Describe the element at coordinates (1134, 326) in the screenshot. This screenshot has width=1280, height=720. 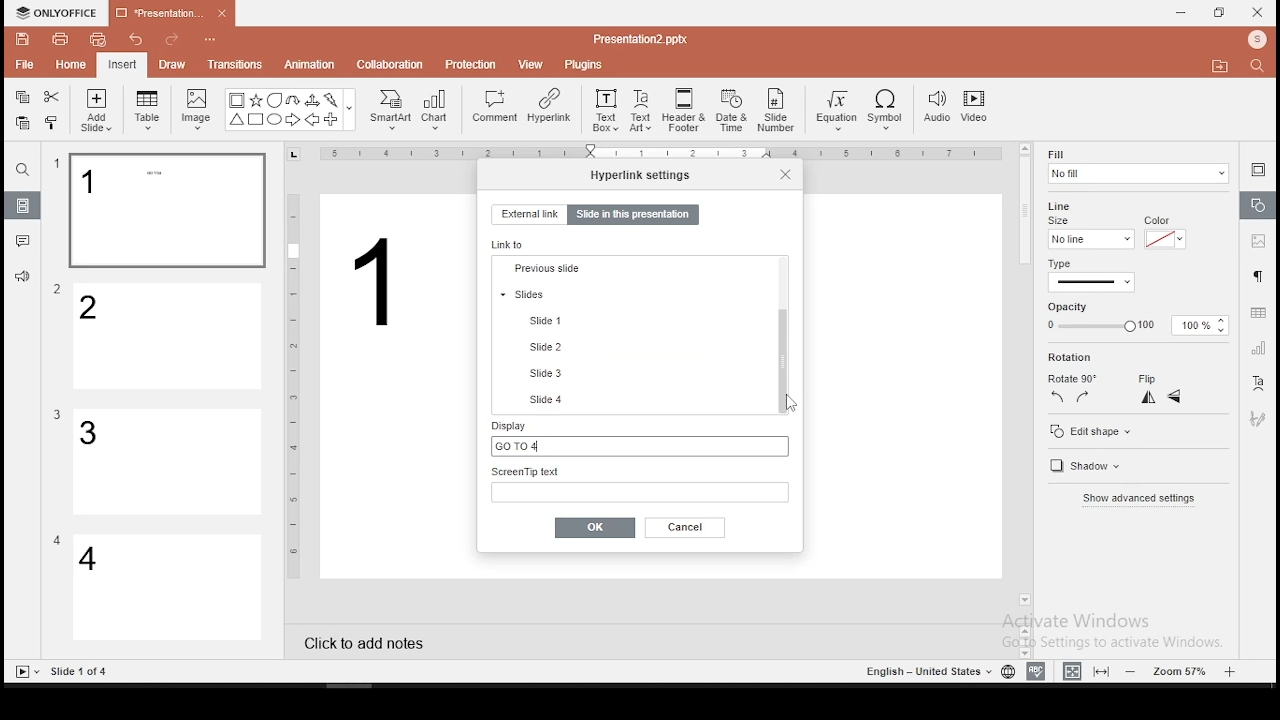
I see `opacity` at that location.